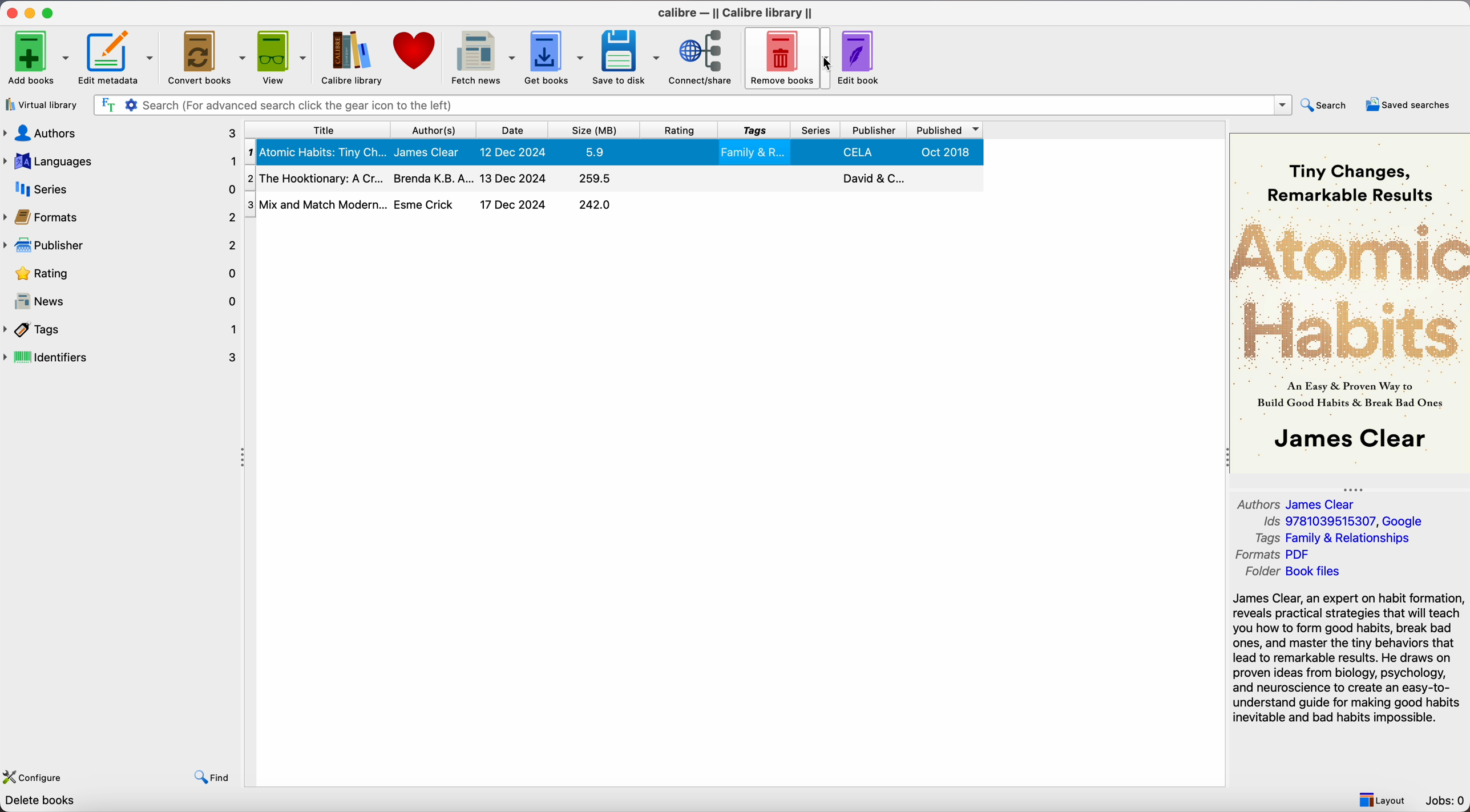  I want to click on size, so click(596, 130).